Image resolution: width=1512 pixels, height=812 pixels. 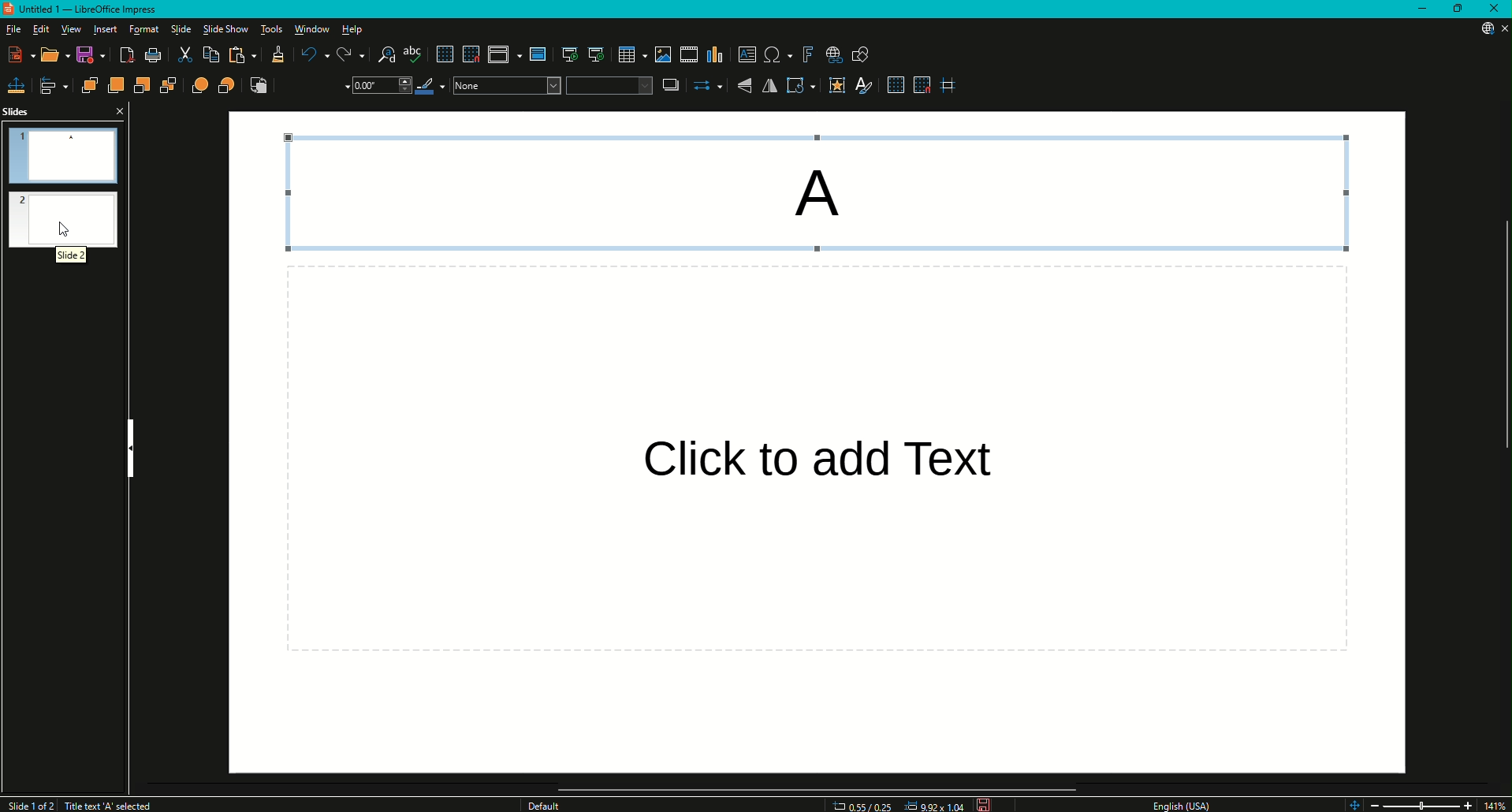 I want to click on Clone Formatting, so click(x=277, y=55).